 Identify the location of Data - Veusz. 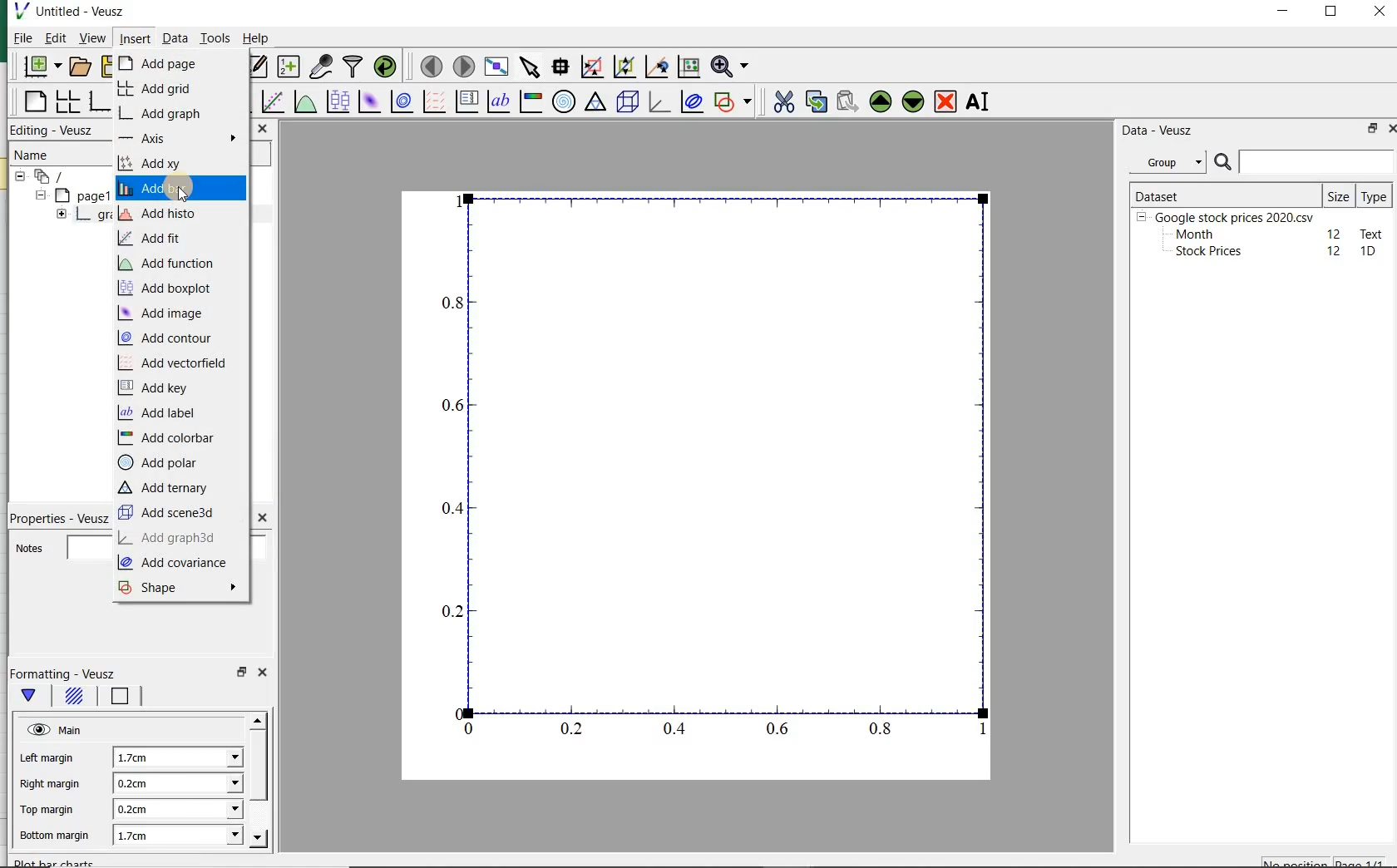
(1158, 130).